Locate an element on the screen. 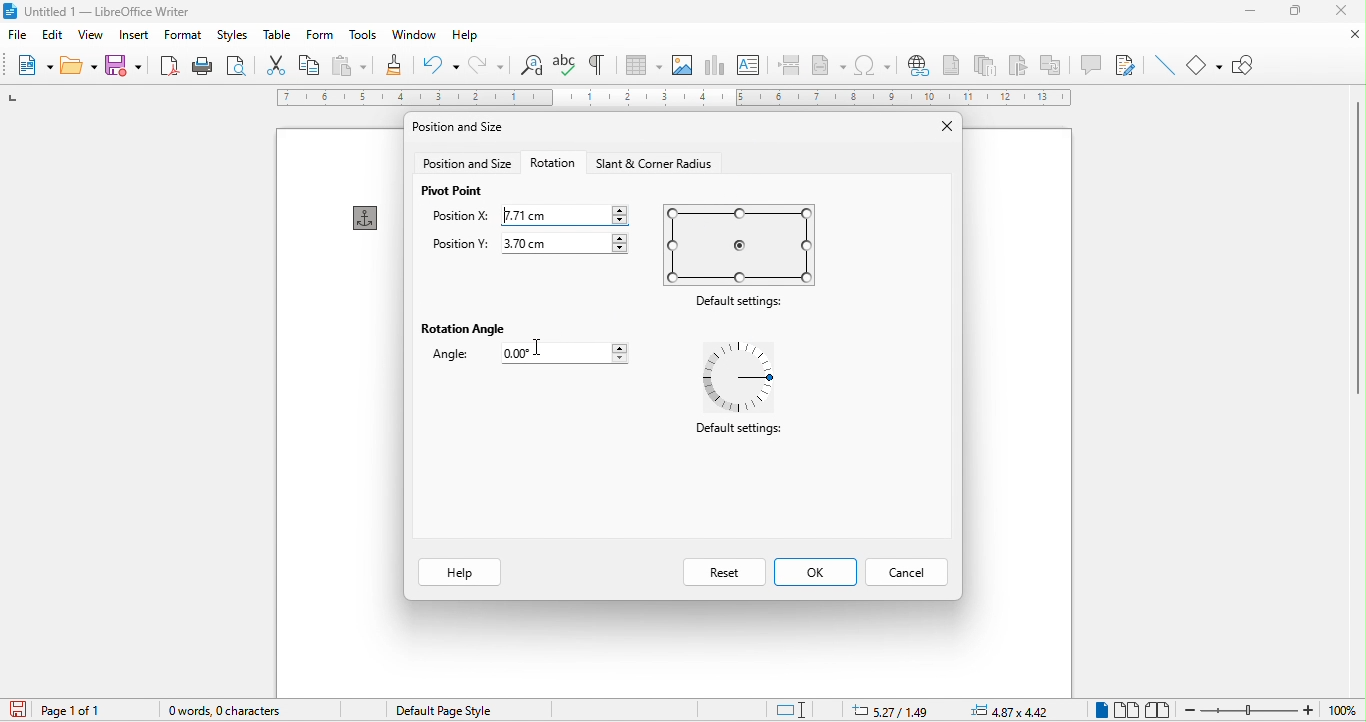 The width and height of the screenshot is (1366, 722). position and size is located at coordinates (468, 127).